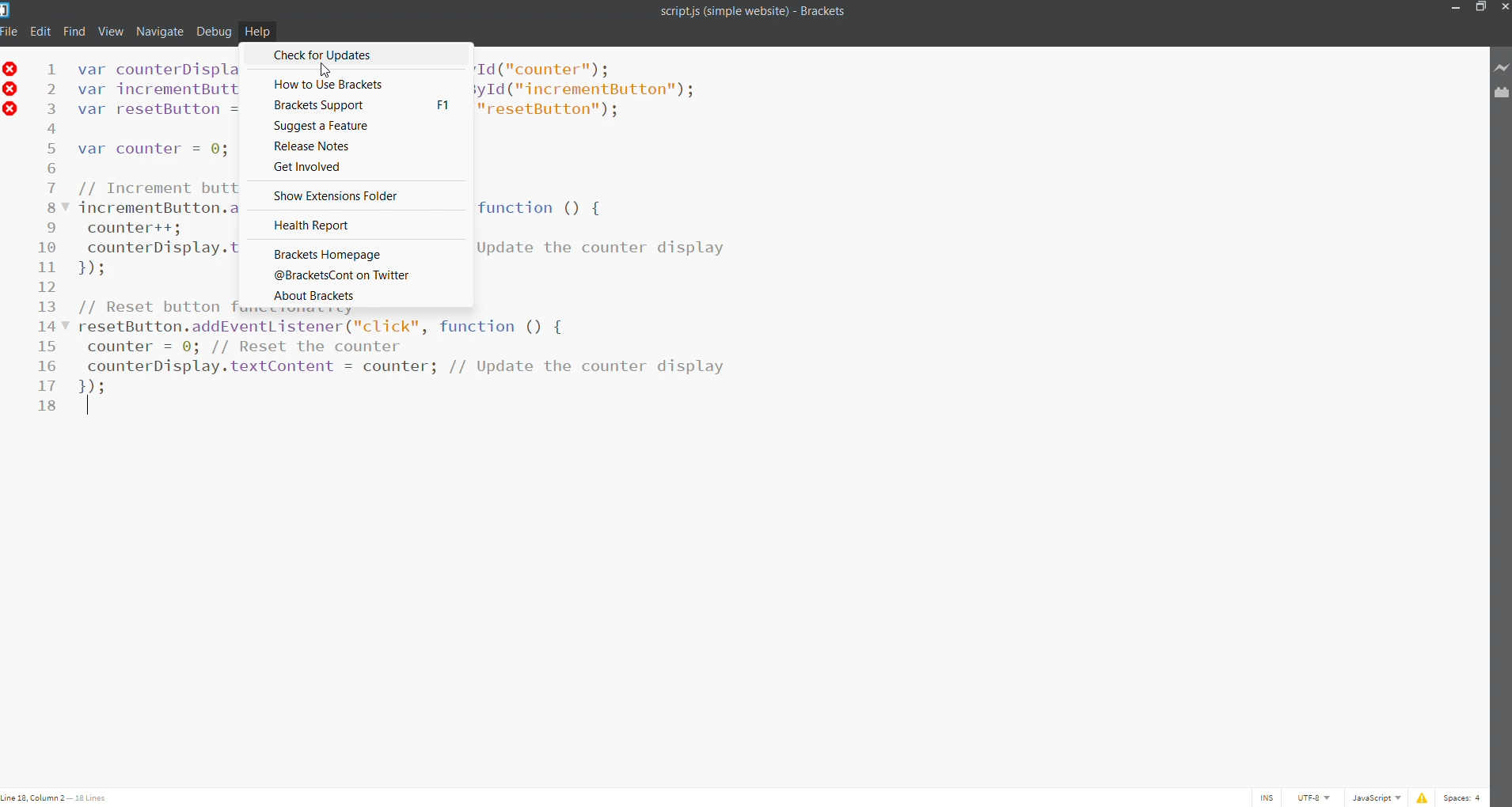 Image resolution: width=1512 pixels, height=807 pixels. What do you see at coordinates (349, 252) in the screenshot?
I see `homepage` at bounding box center [349, 252].